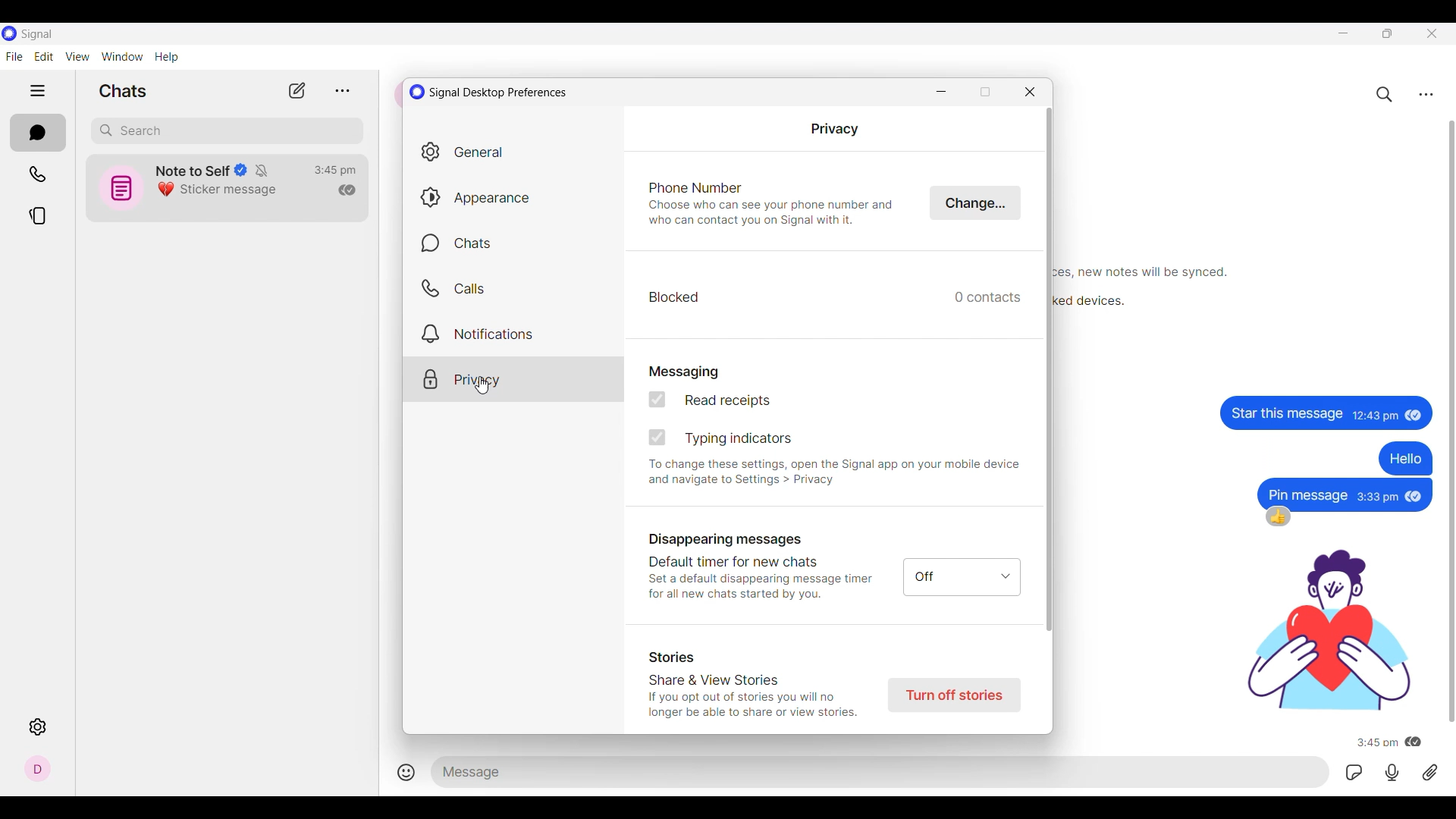  What do you see at coordinates (835, 130) in the screenshot?
I see `Privacy setting` at bounding box center [835, 130].